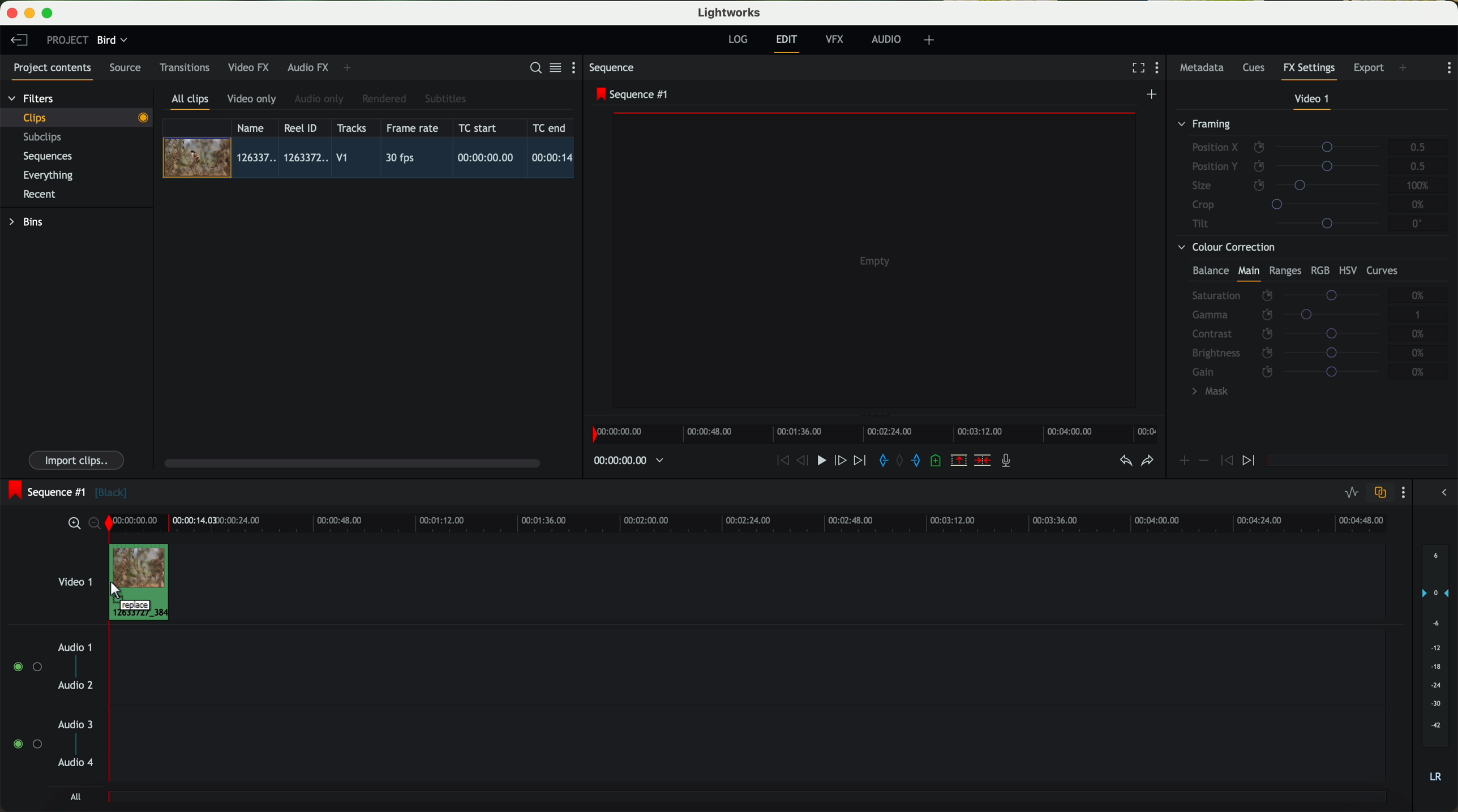 This screenshot has width=1458, height=812. Describe the element at coordinates (1319, 269) in the screenshot. I see `RGB` at that location.